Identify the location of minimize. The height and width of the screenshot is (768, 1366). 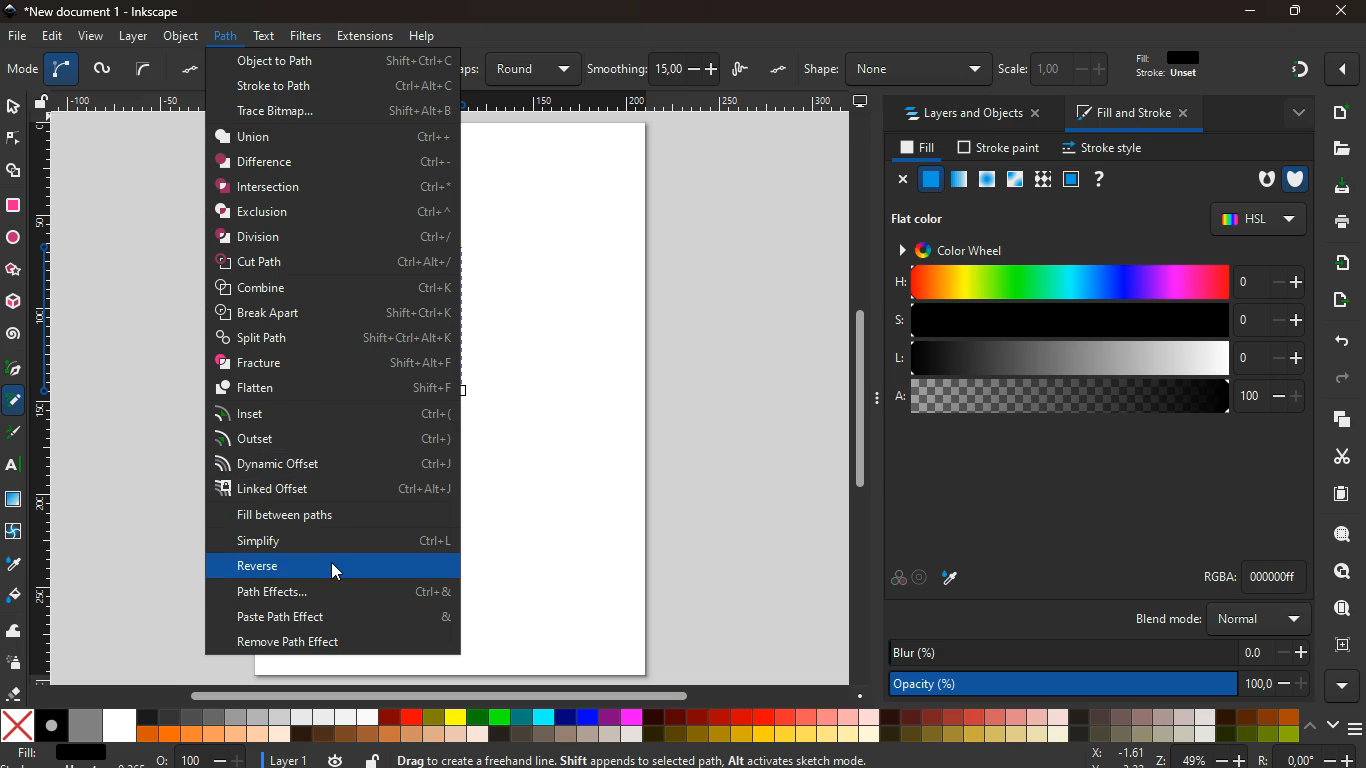
(1252, 12).